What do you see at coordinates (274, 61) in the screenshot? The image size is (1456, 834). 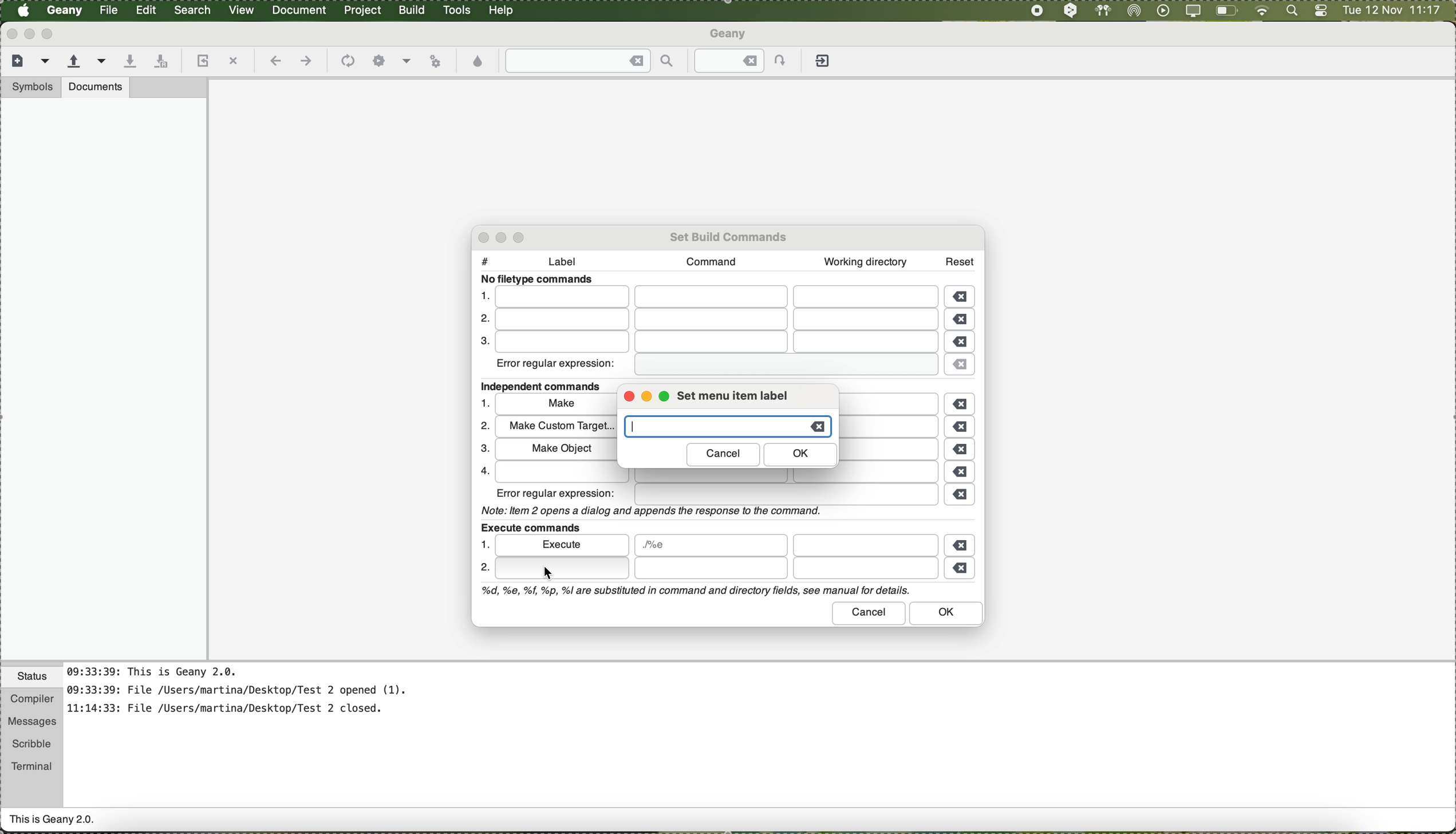 I see `navigate back a location` at bounding box center [274, 61].